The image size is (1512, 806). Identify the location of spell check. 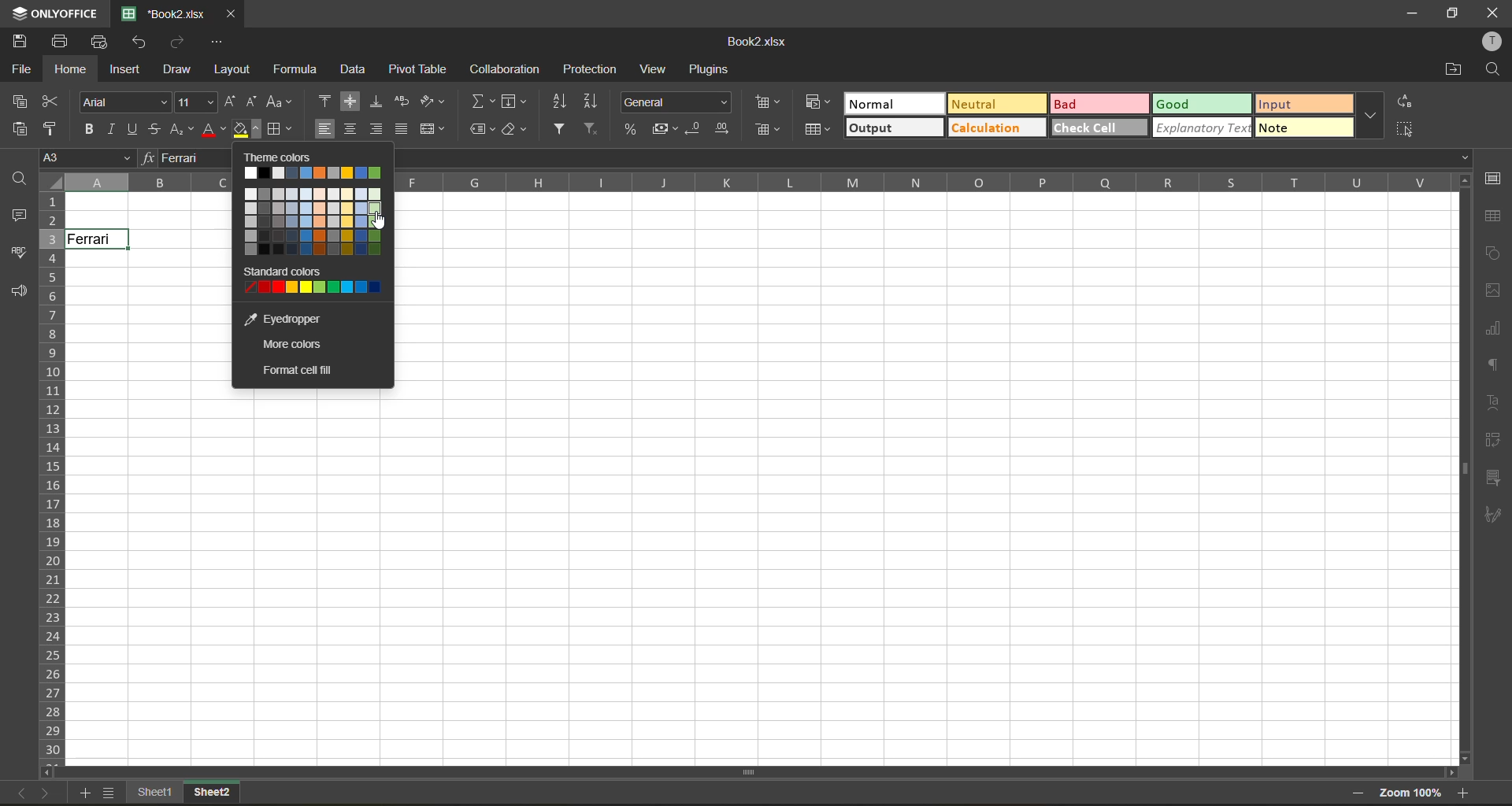
(18, 255).